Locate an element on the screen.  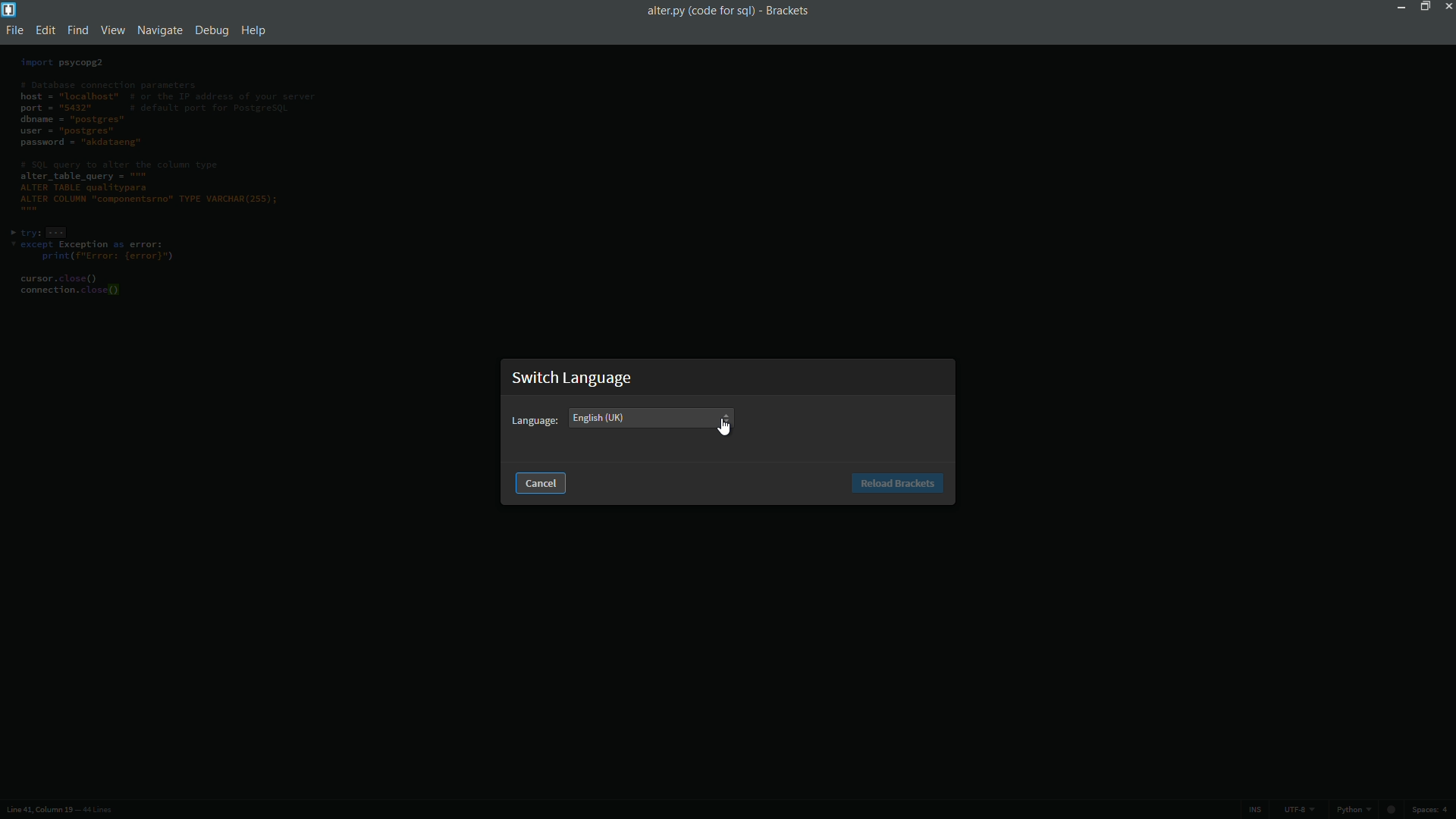
file encoding is located at coordinates (1298, 810).